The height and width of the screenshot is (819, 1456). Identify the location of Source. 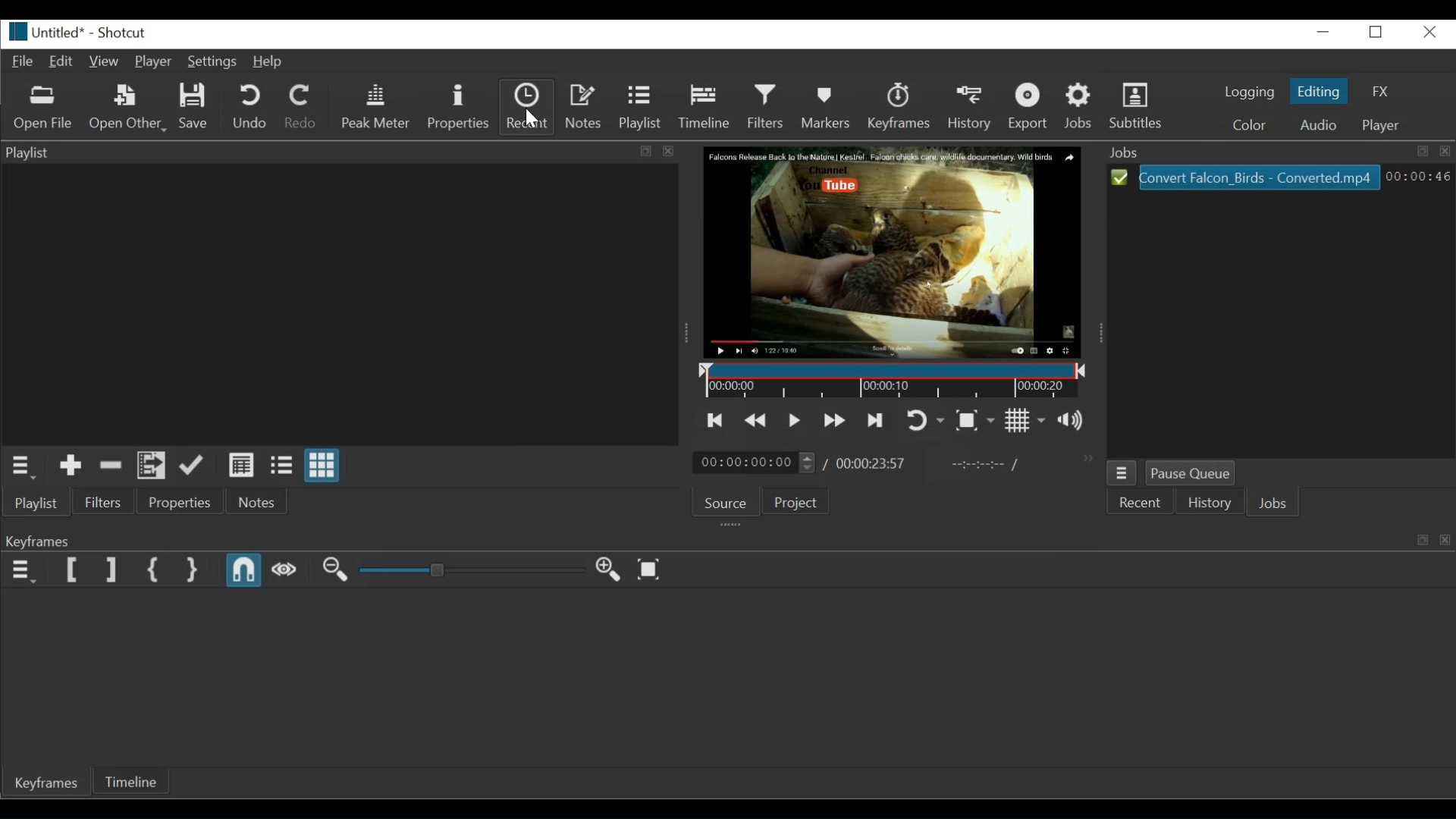
(725, 502).